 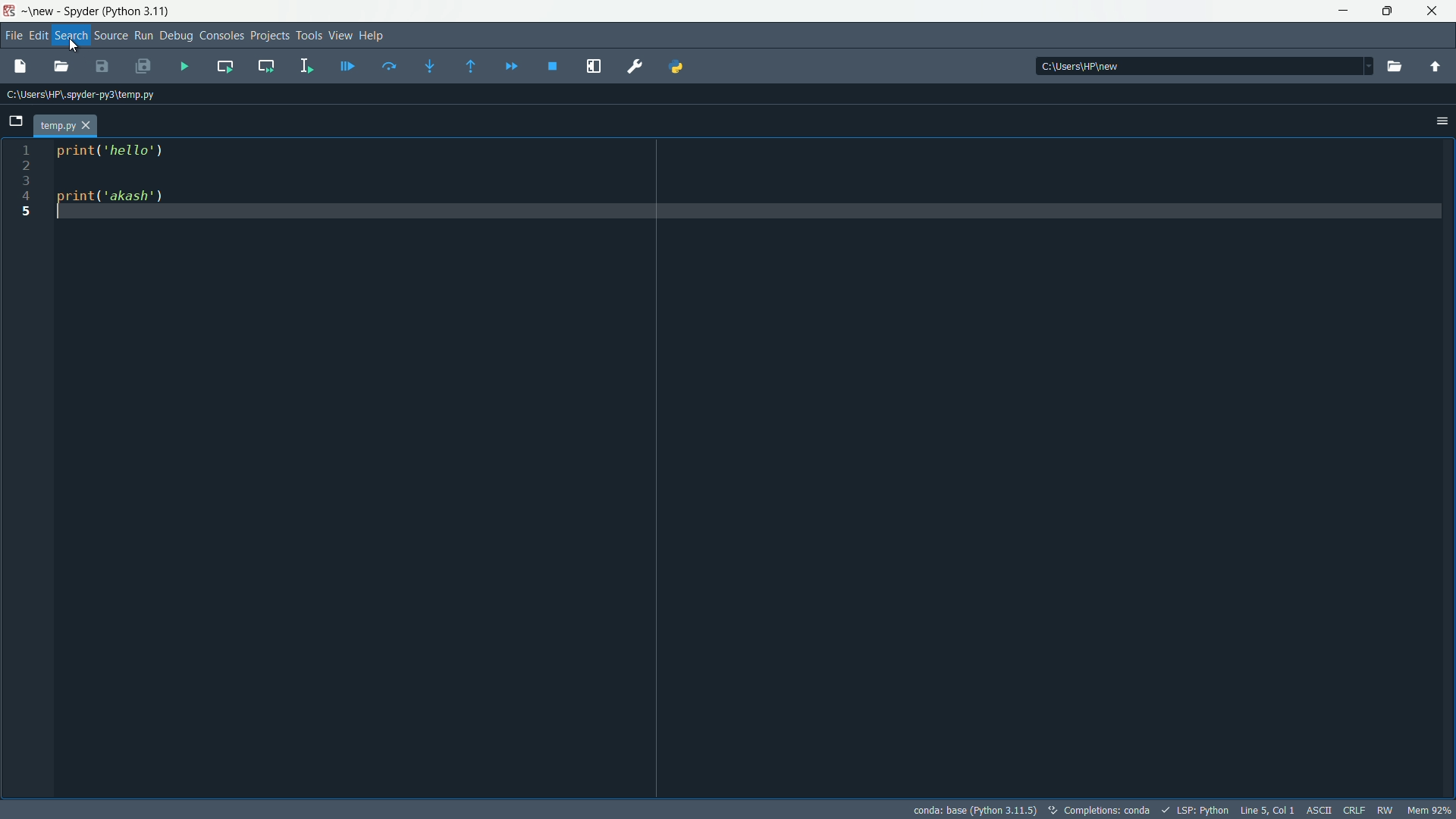 I want to click on RW, so click(x=1385, y=809).